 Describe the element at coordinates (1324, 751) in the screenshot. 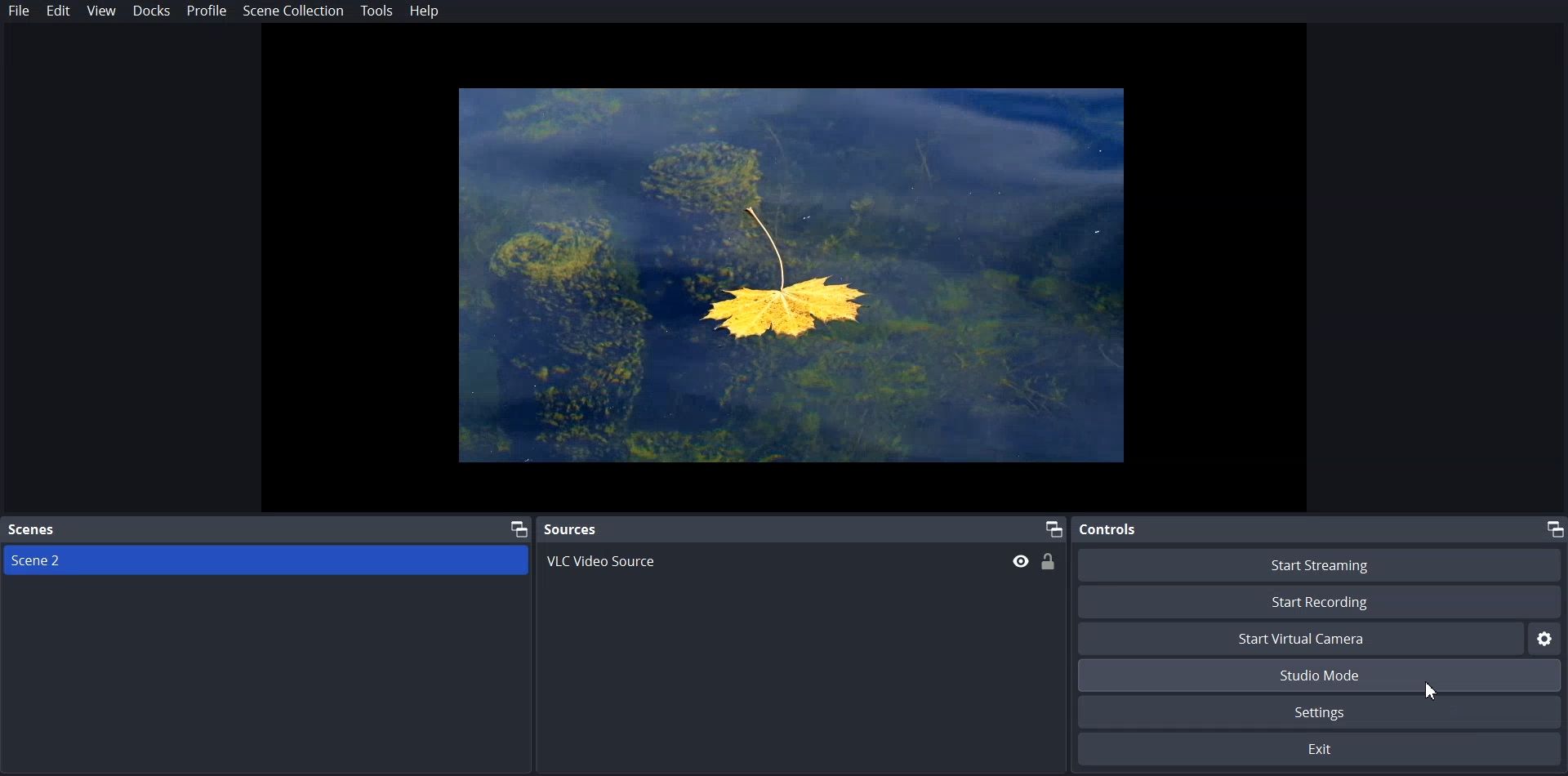

I see `Exit` at that location.